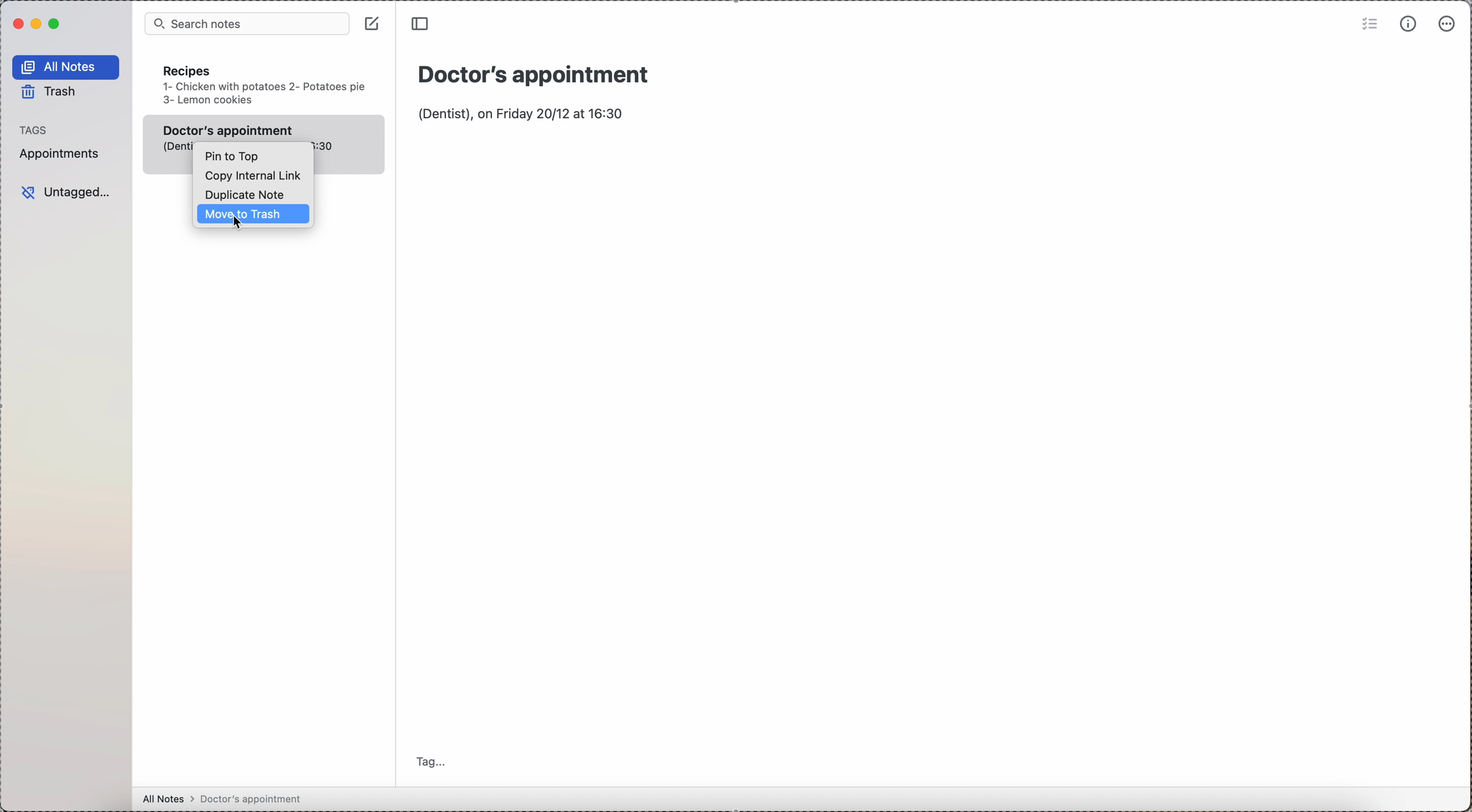 The image size is (1472, 812). What do you see at coordinates (1368, 26) in the screenshot?
I see `check list` at bounding box center [1368, 26].